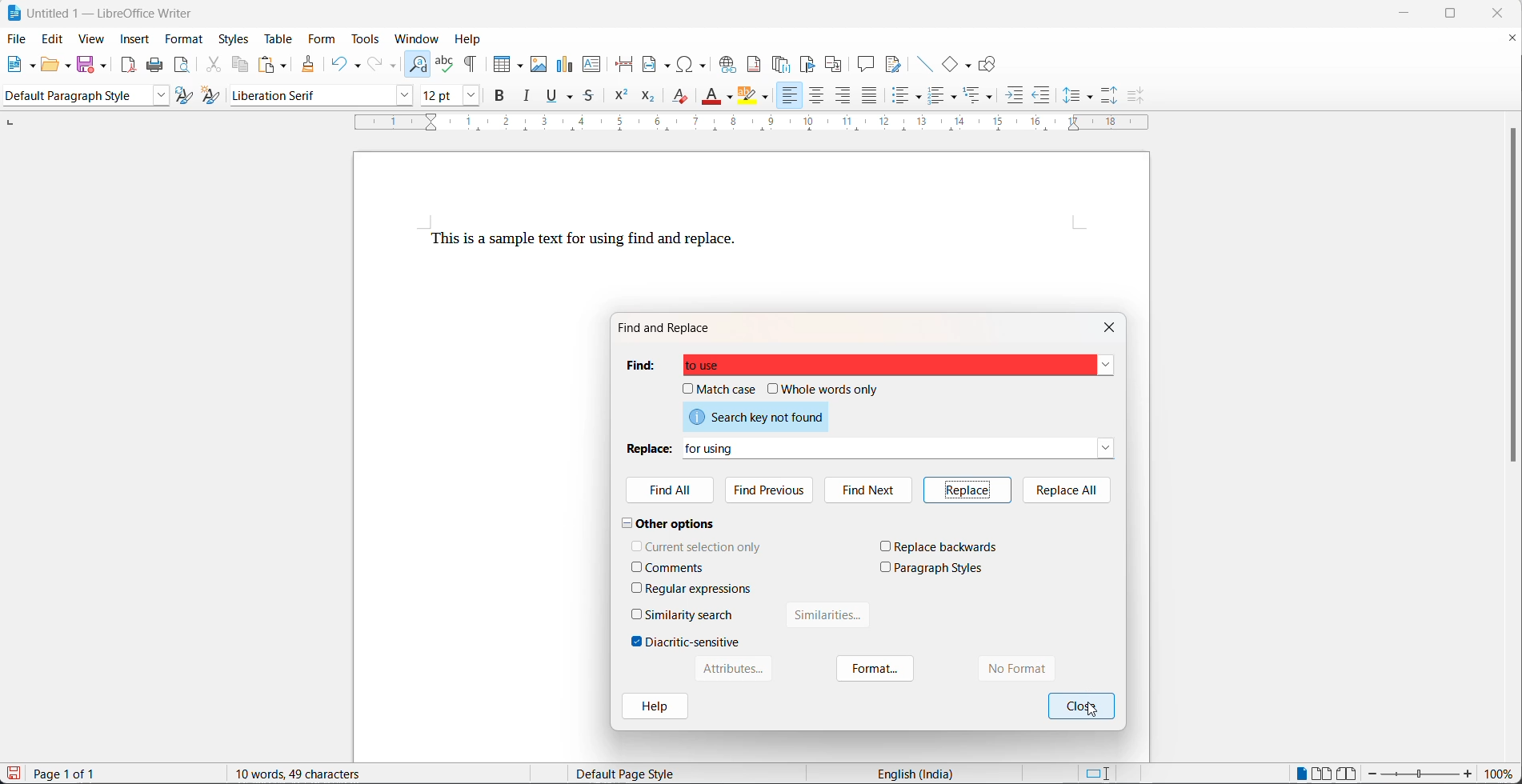 The height and width of the screenshot is (784, 1522). Describe the element at coordinates (242, 64) in the screenshot. I see `copy` at that location.